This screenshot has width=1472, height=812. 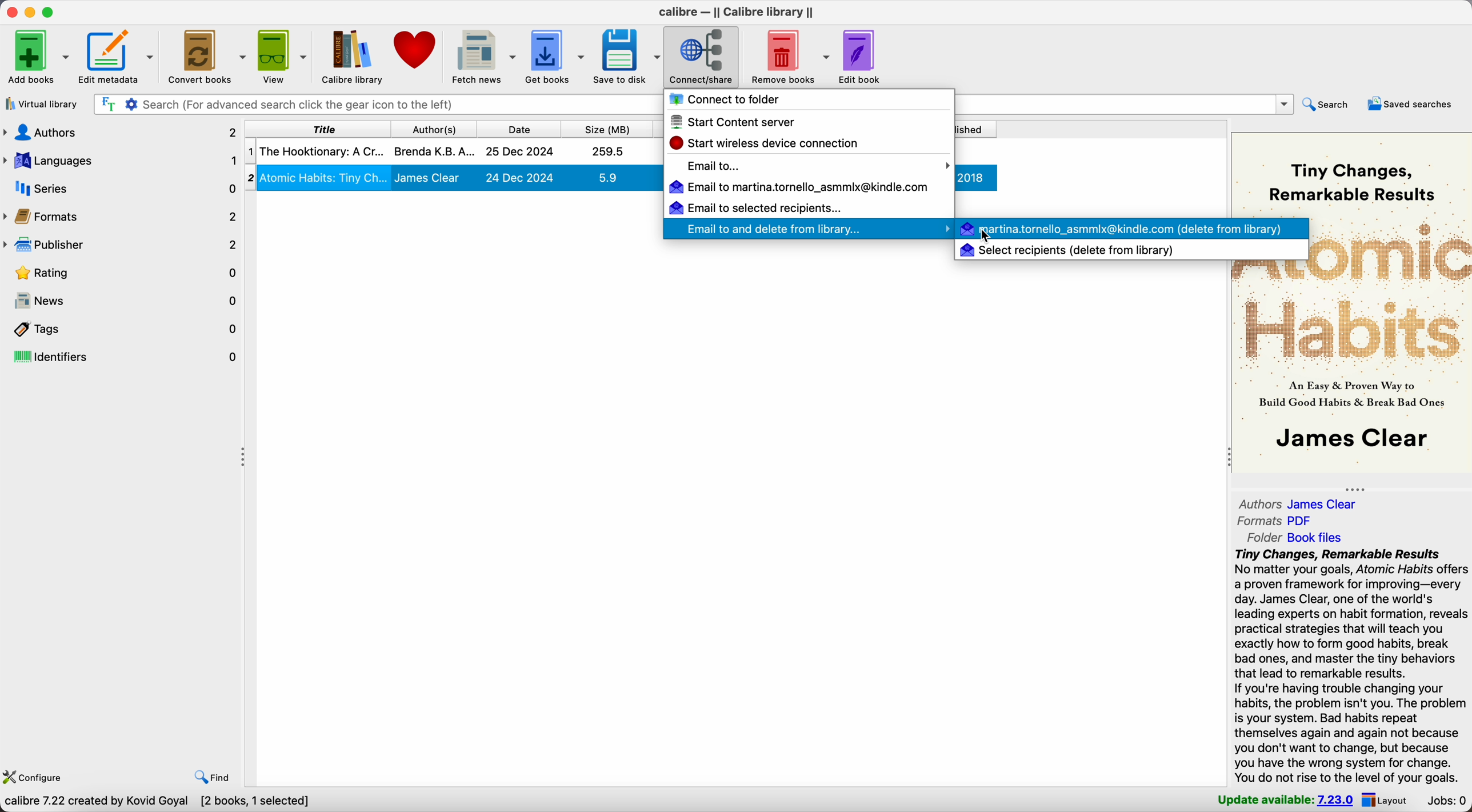 I want to click on edit book, so click(x=861, y=58).